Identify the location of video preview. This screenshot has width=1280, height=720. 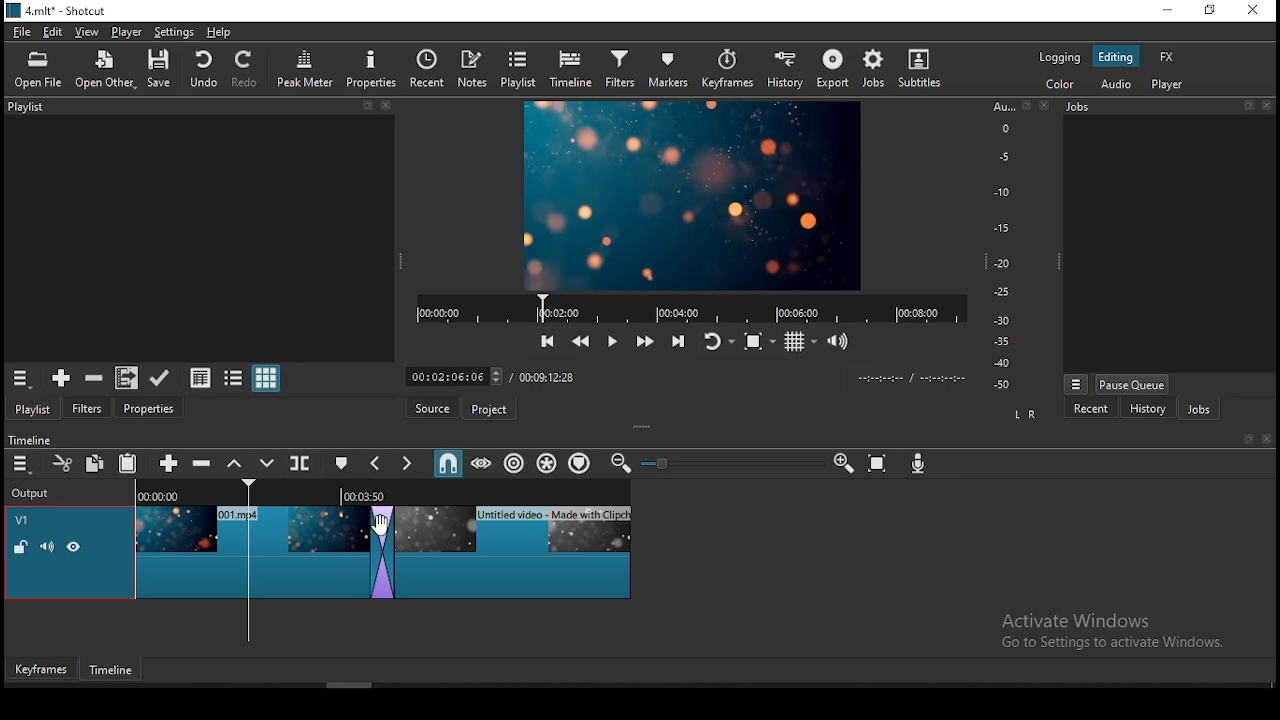
(691, 195).